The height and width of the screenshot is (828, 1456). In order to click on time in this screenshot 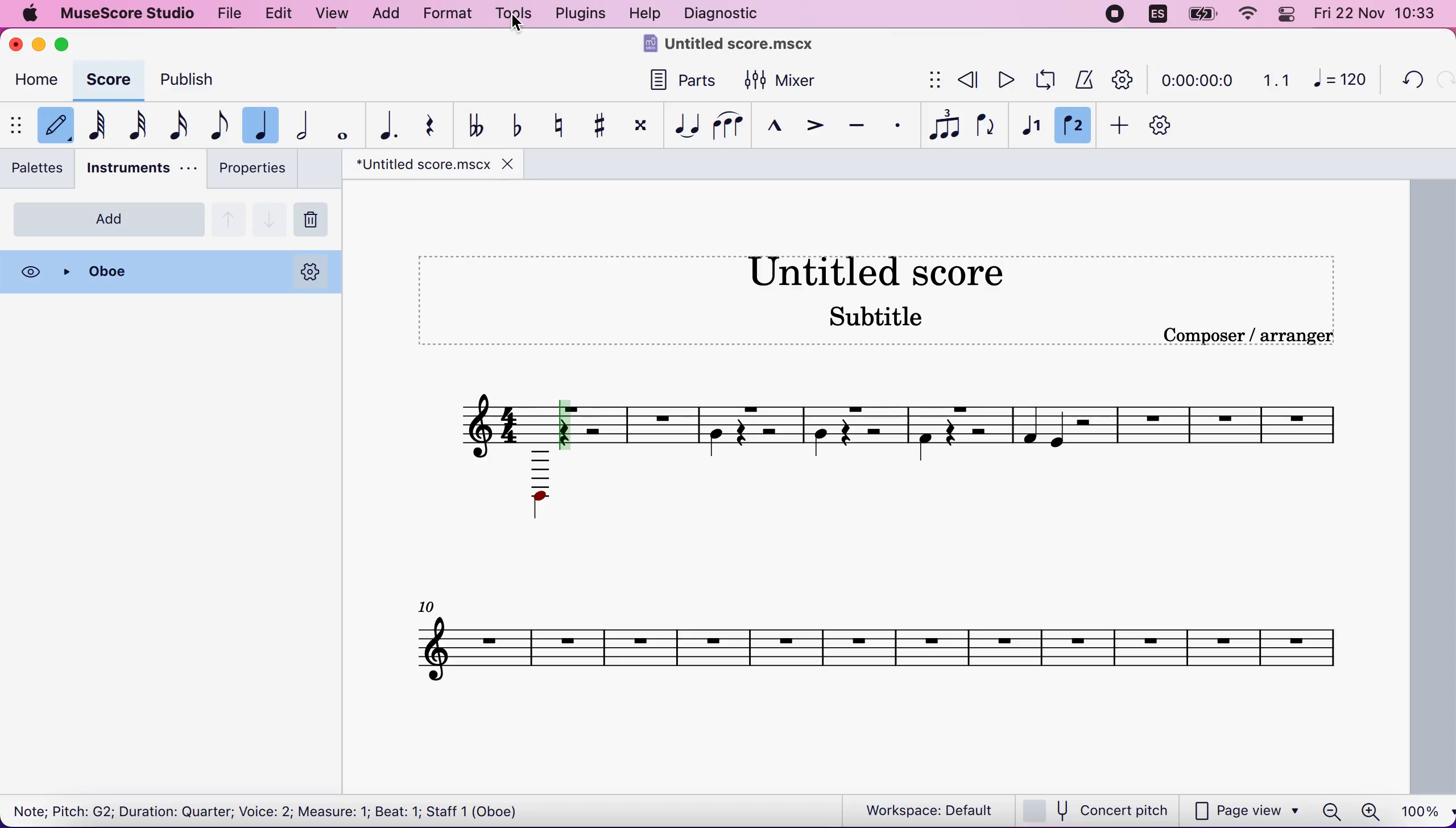, I will do `click(1195, 78)`.